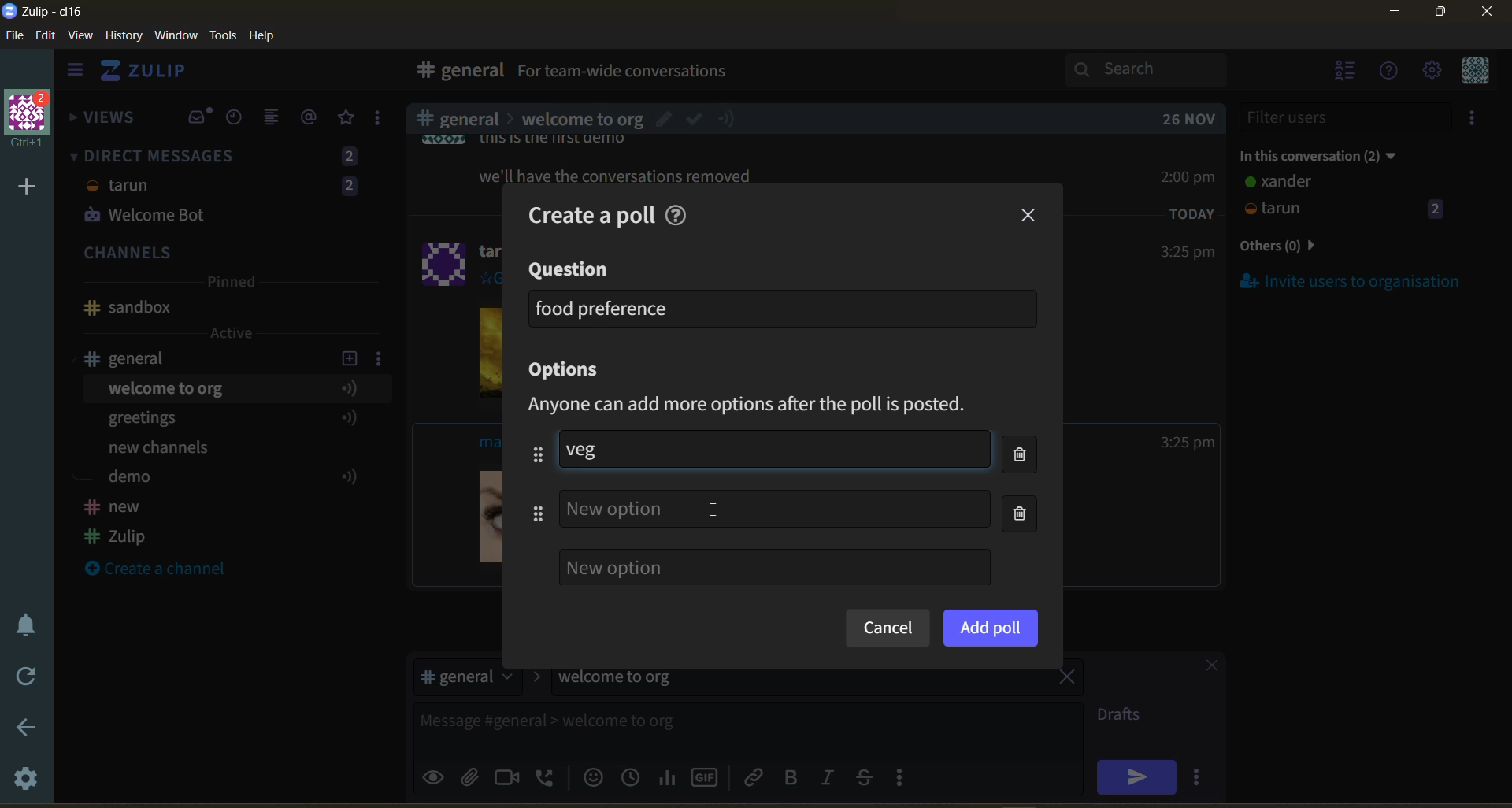 This screenshot has width=1512, height=808. What do you see at coordinates (31, 120) in the screenshot?
I see `organisation` at bounding box center [31, 120].